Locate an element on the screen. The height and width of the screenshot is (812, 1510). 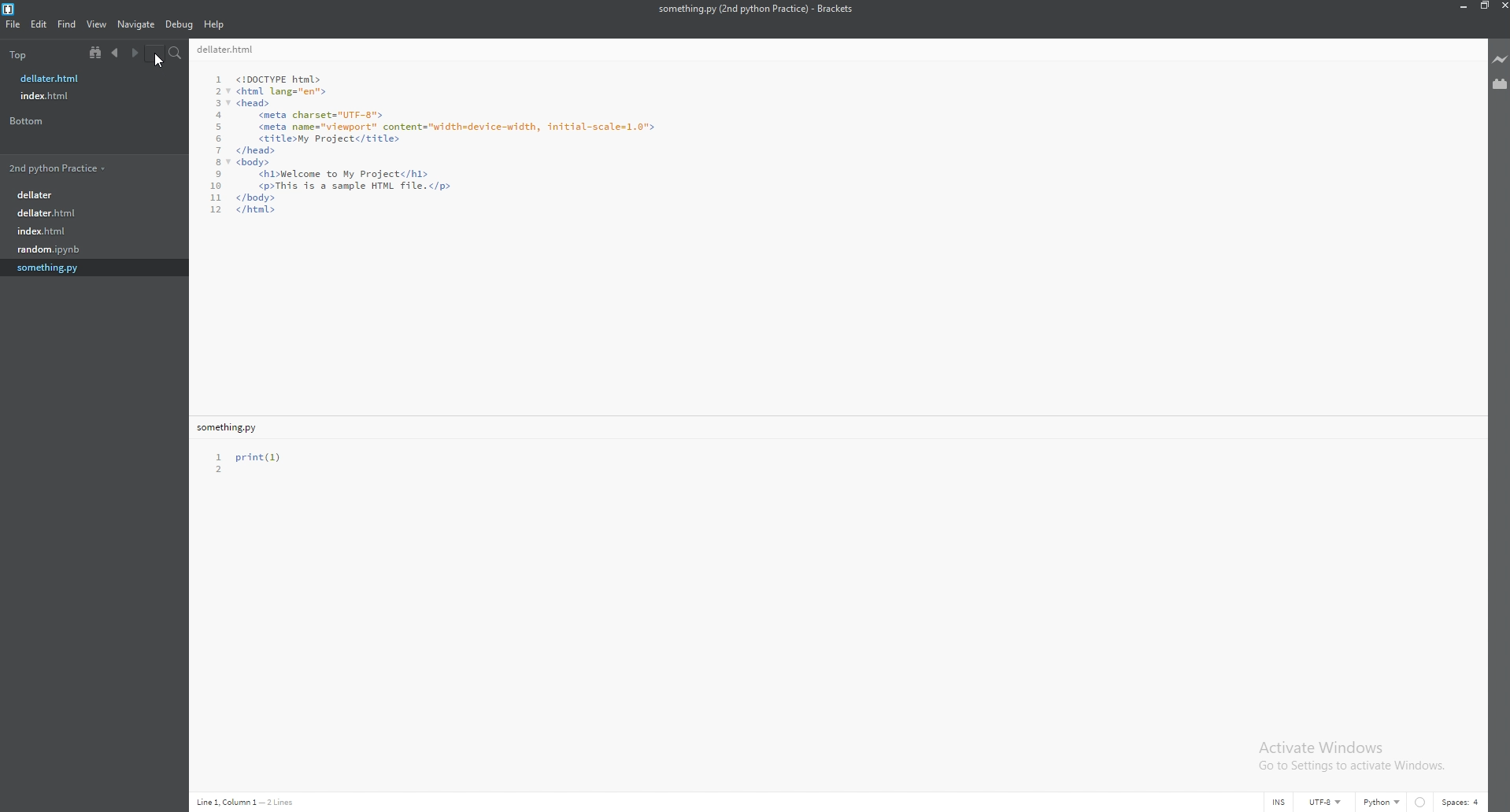
file is located at coordinates (92, 194).